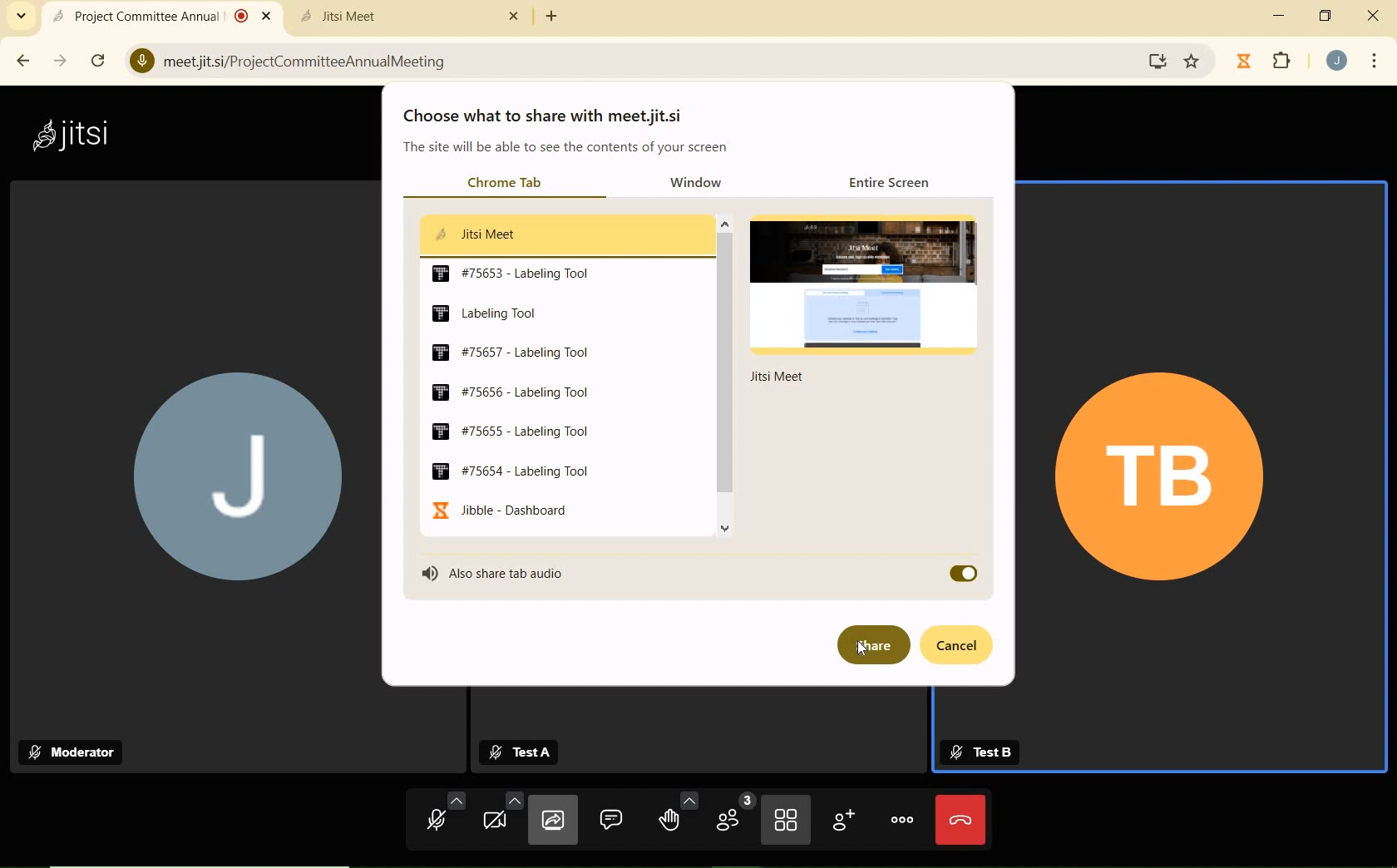 This screenshot has width=1397, height=868. I want to click on Jitsi Meet, so click(560, 233).